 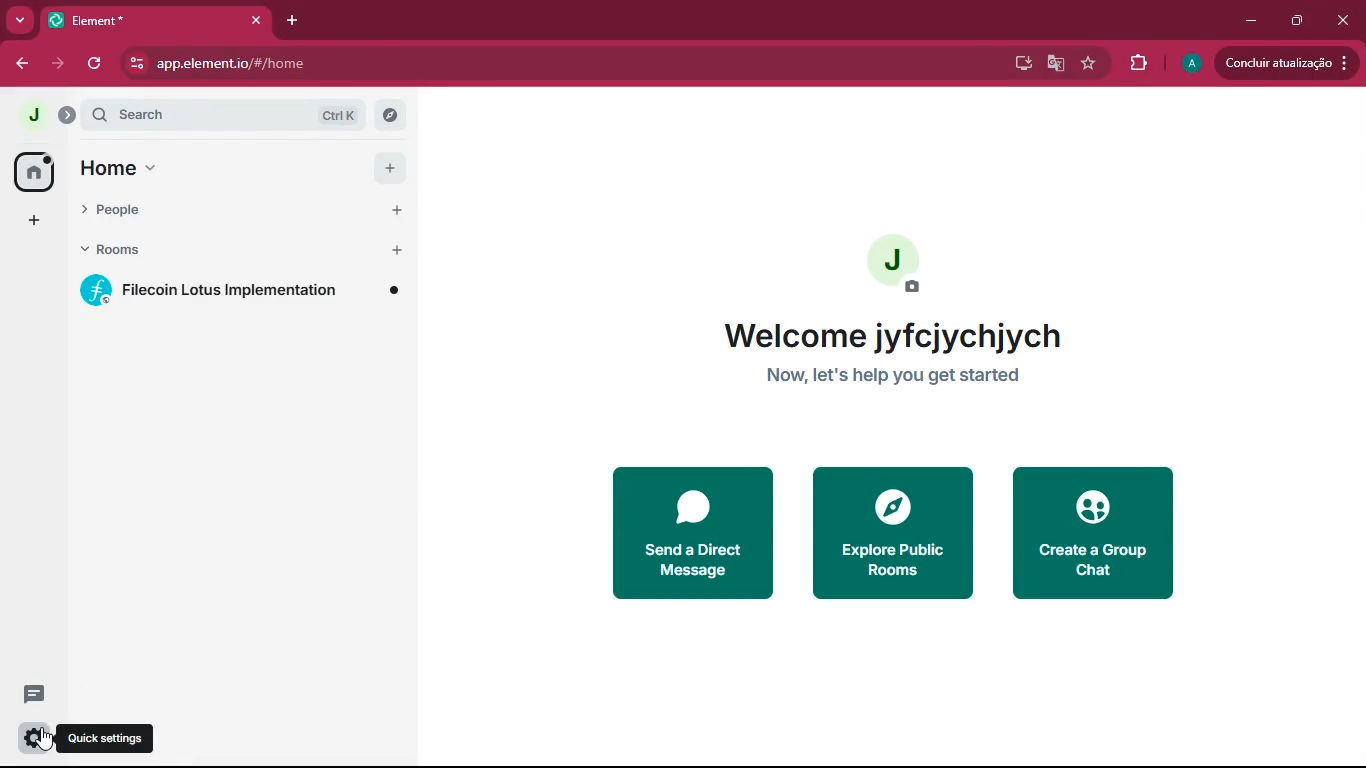 What do you see at coordinates (35, 171) in the screenshot?
I see `home` at bounding box center [35, 171].